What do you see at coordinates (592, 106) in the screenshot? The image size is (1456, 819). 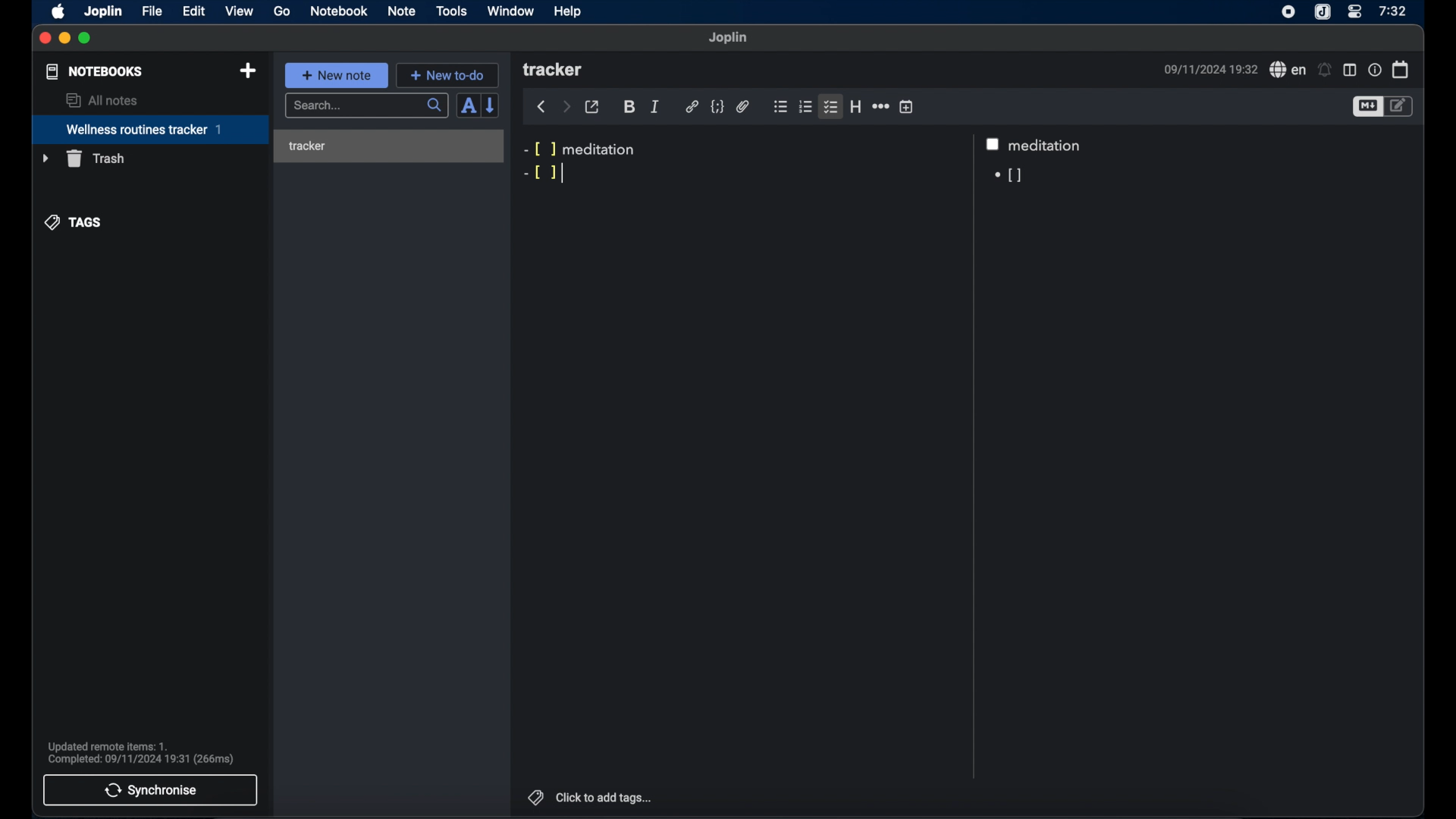 I see `toggle external editor` at bounding box center [592, 106].